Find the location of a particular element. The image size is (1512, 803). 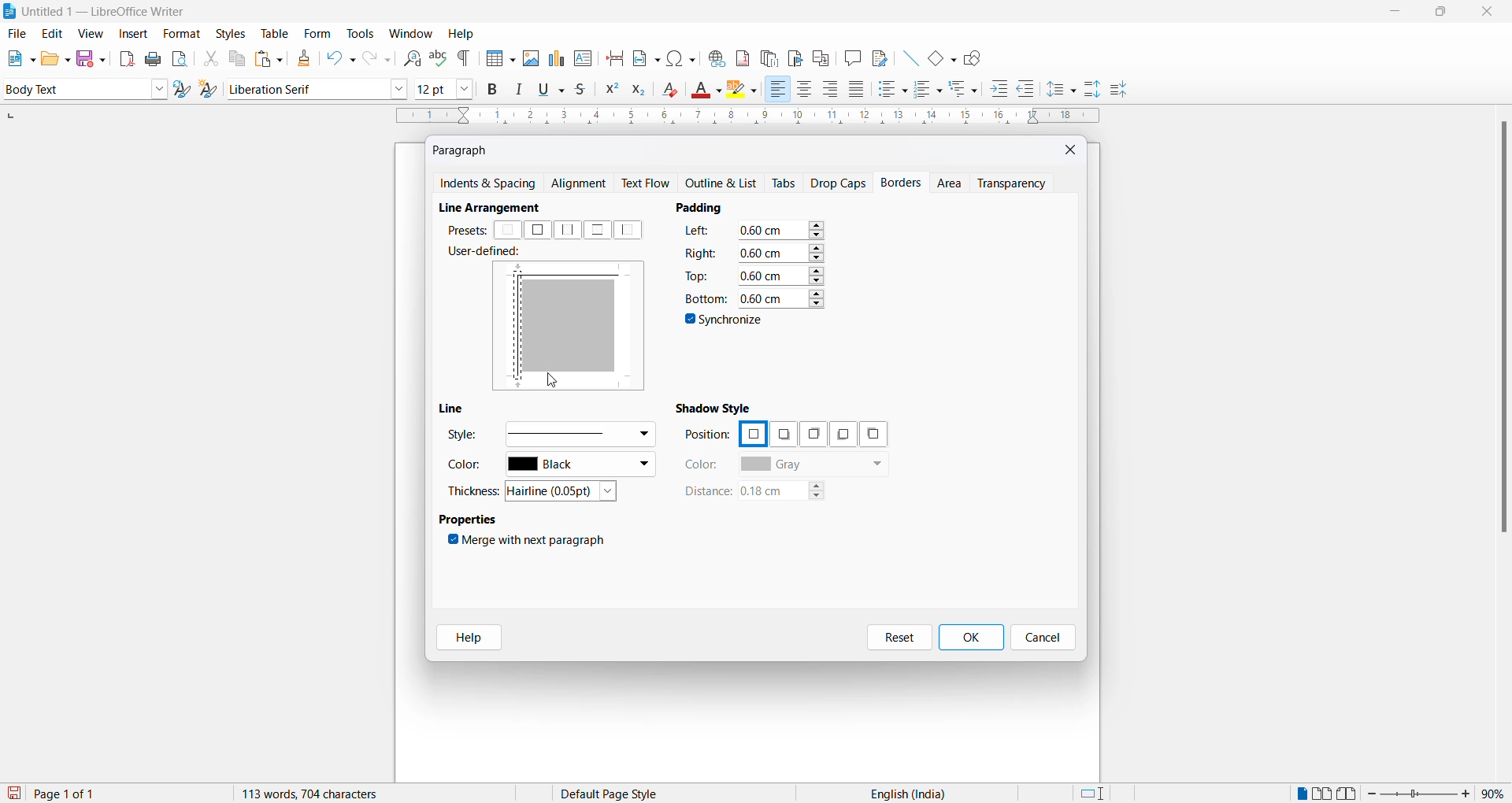

paste is located at coordinates (266, 60).